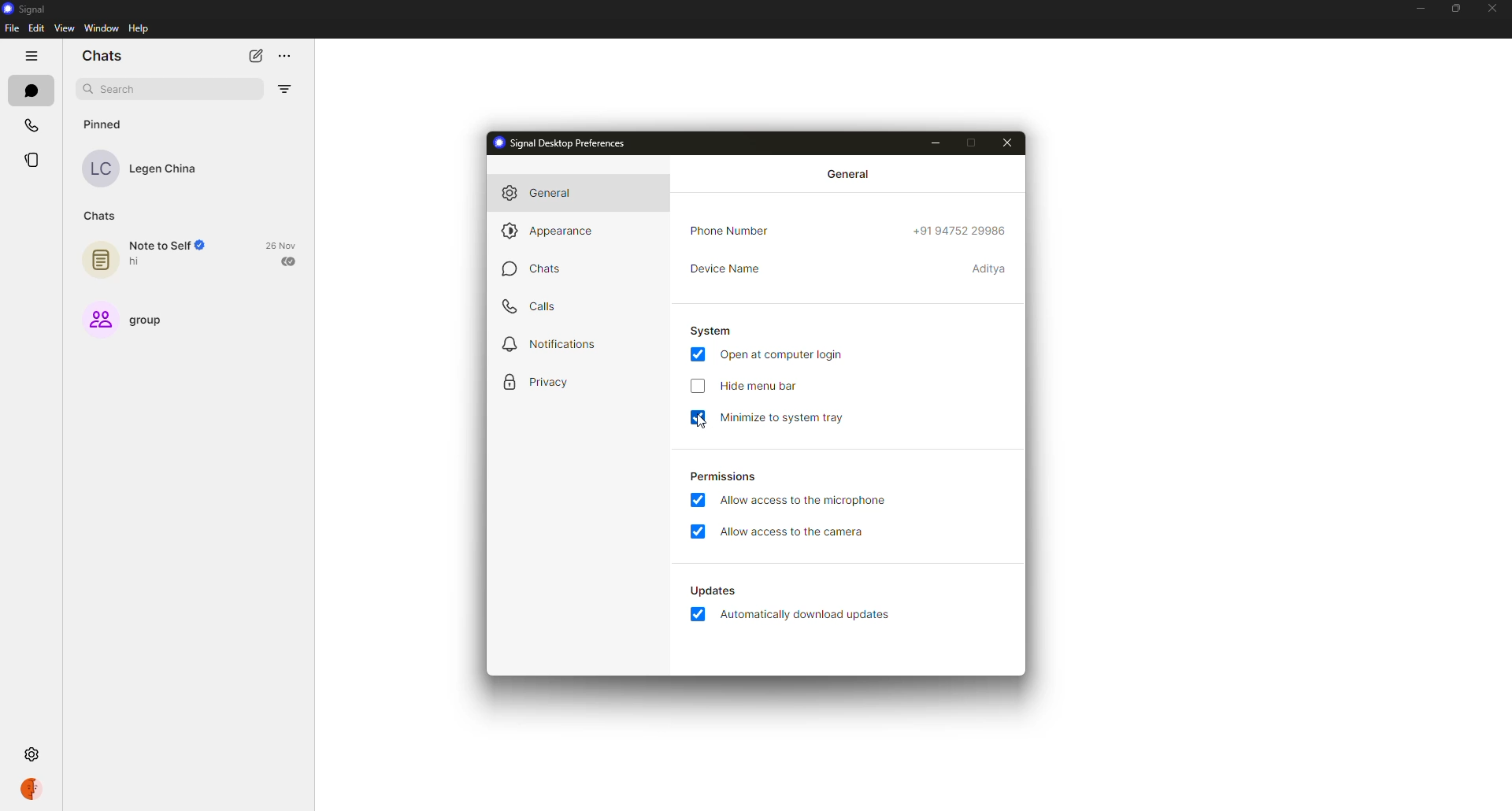 The image size is (1512, 811). I want to click on calls, so click(528, 308).